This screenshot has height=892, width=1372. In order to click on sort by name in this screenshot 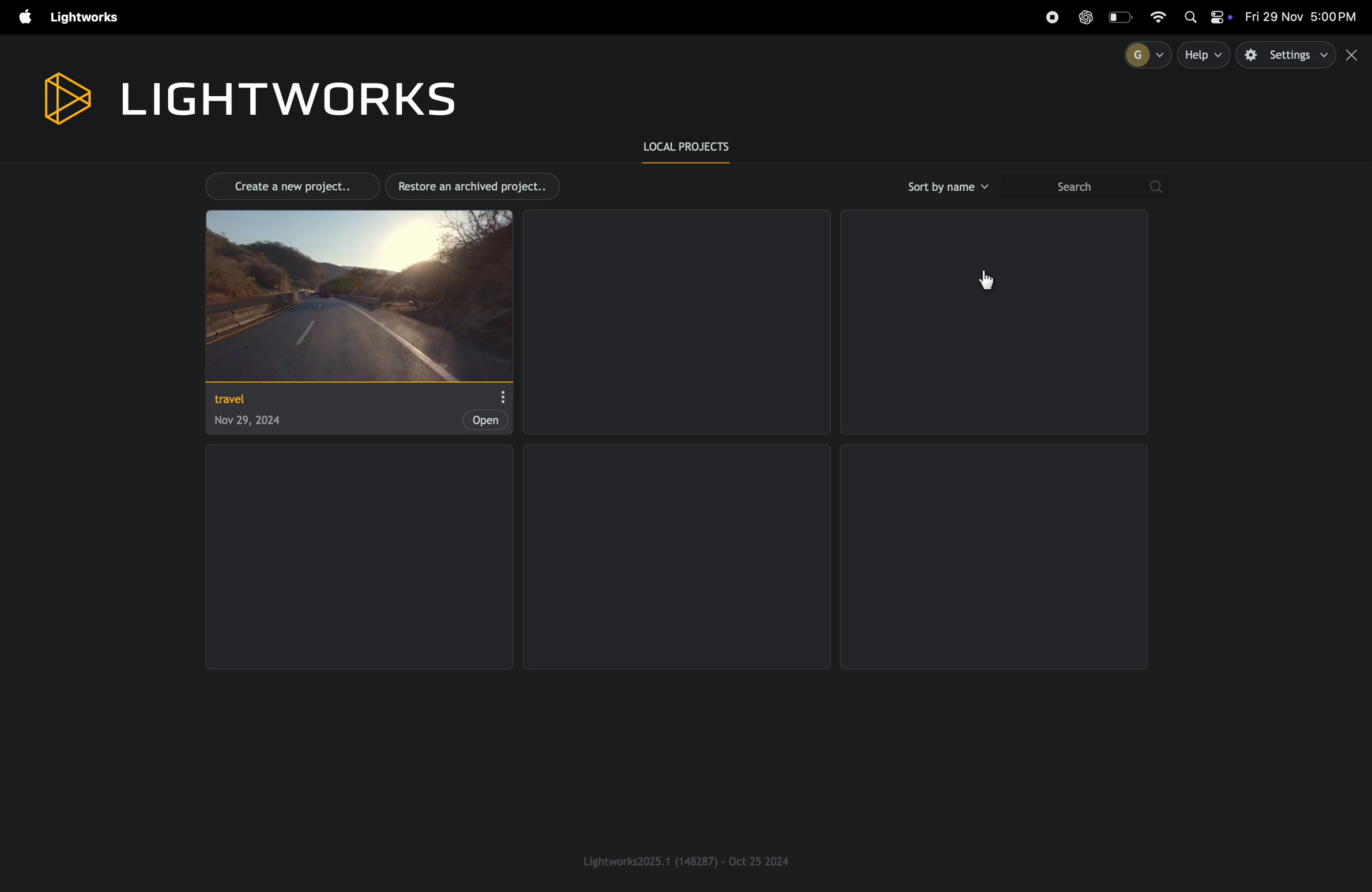, I will do `click(946, 187)`.